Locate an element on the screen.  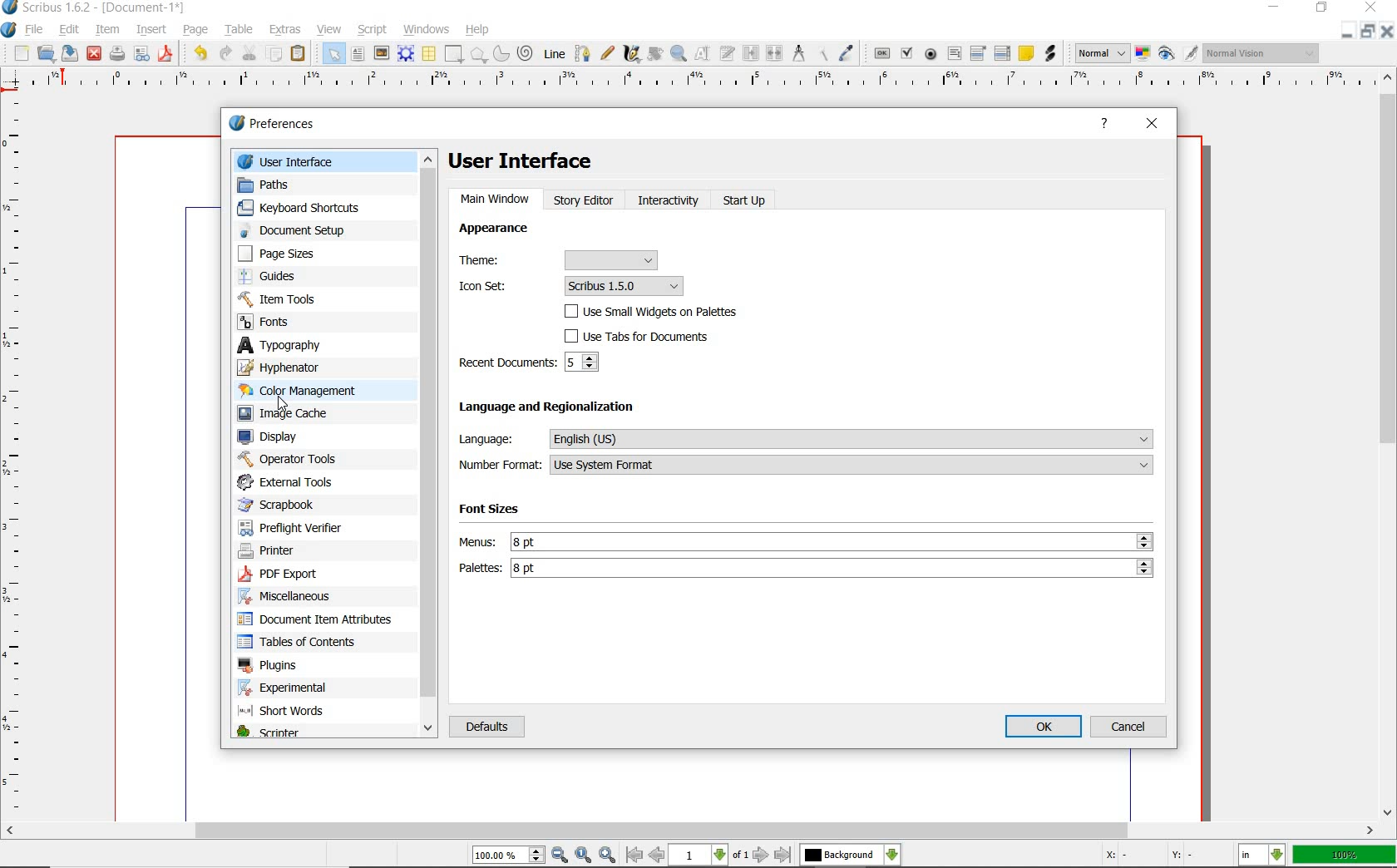
pdf check box is located at coordinates (906, 53).